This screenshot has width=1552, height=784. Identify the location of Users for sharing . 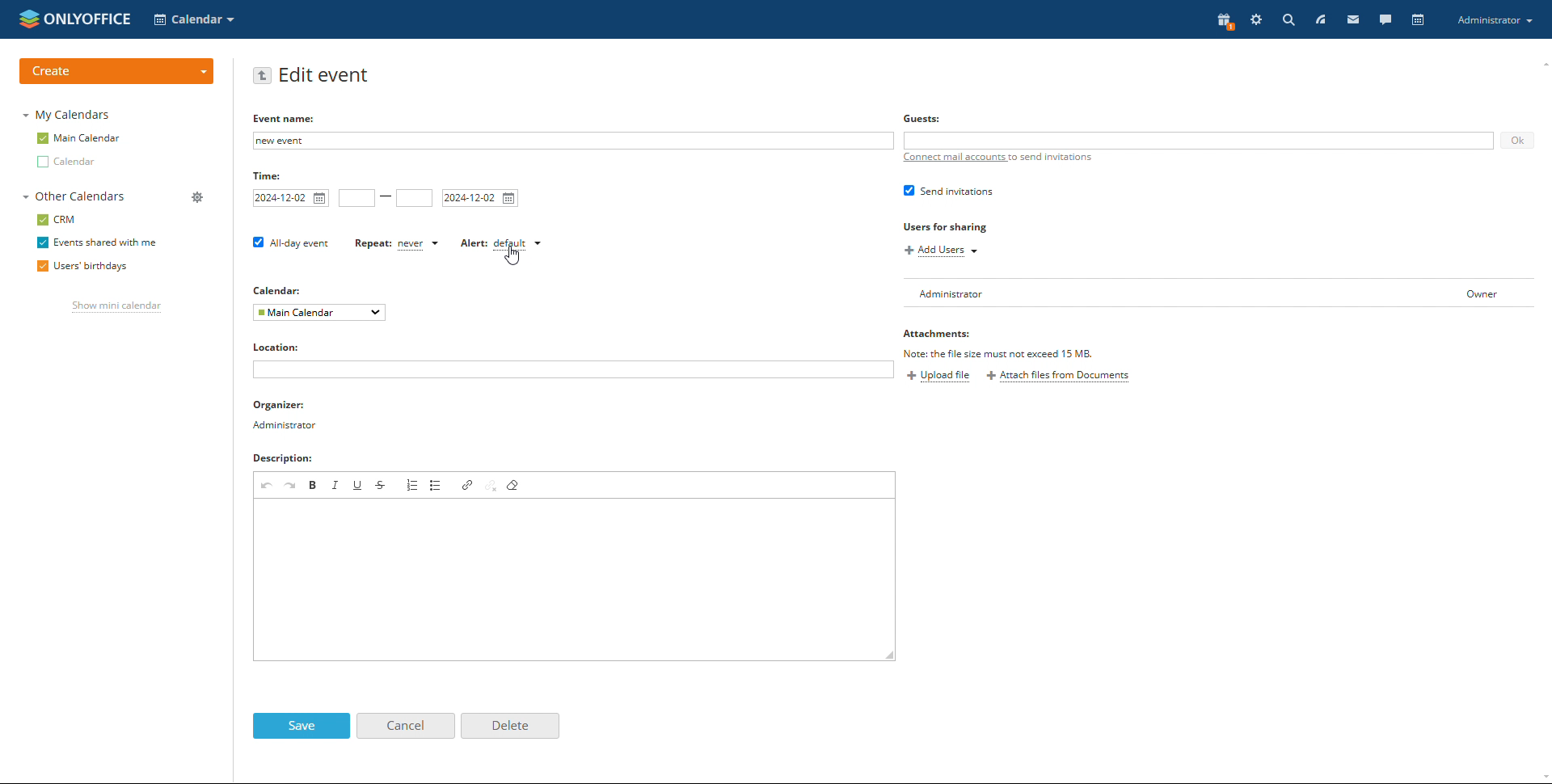
(939, 228).